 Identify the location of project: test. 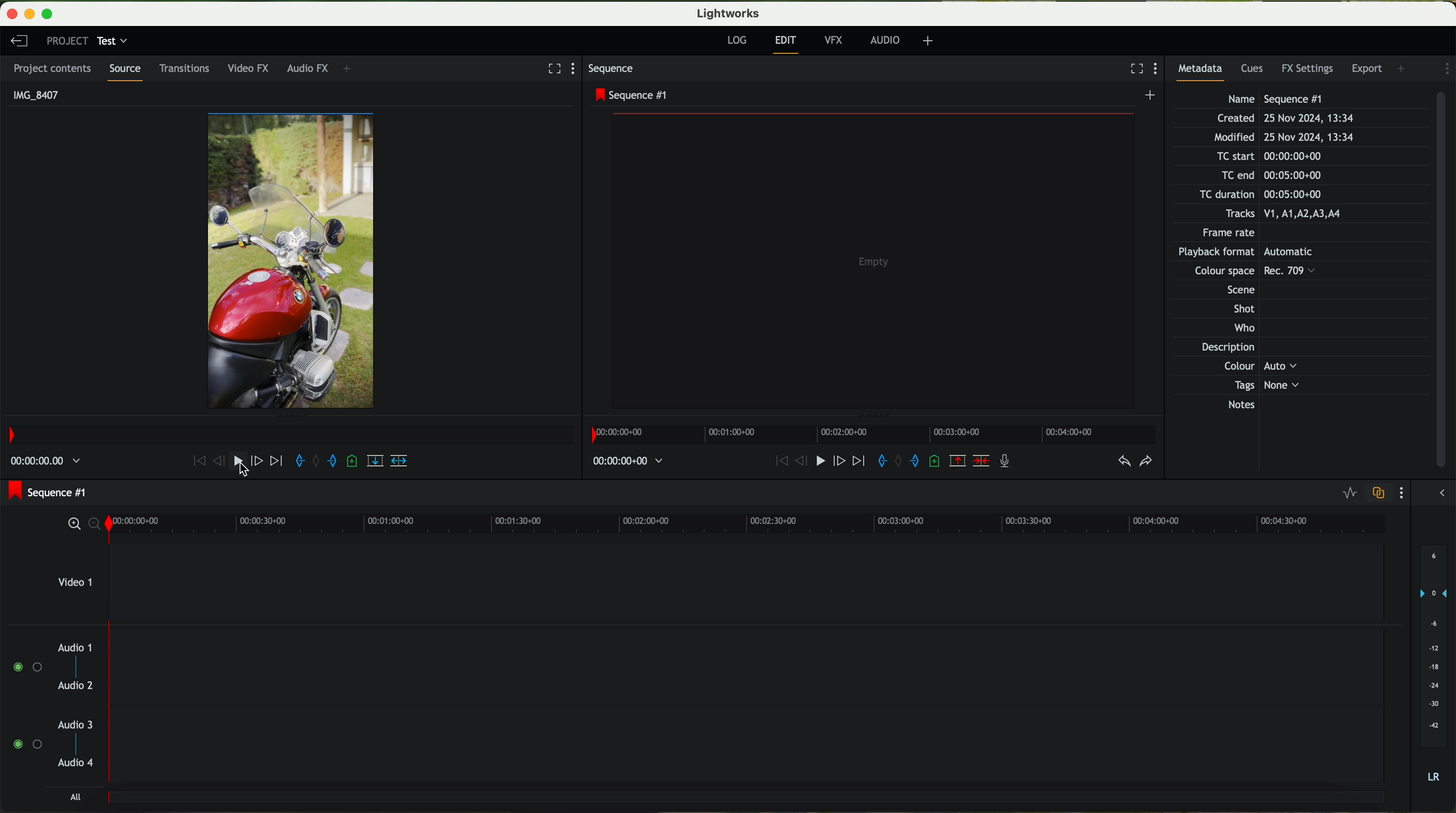
(86, 41).